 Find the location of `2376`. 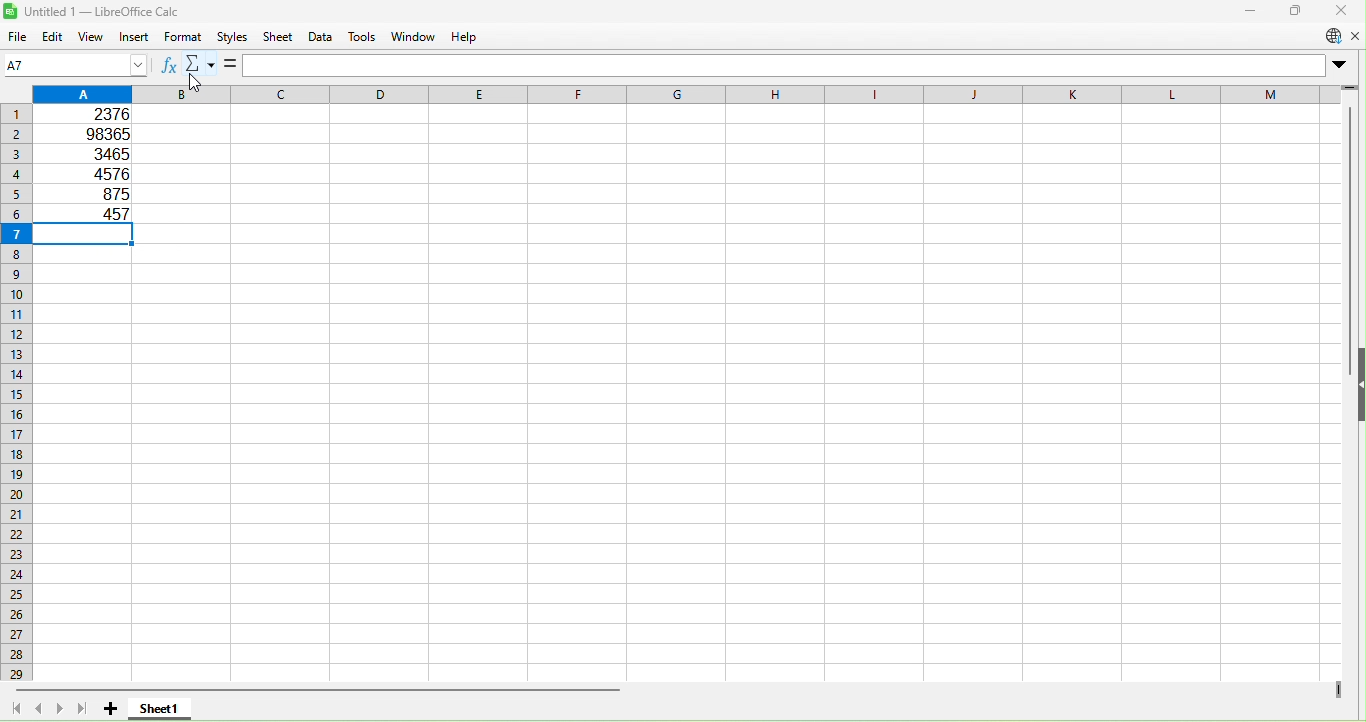

2376 is located at coordinates (98, 115).